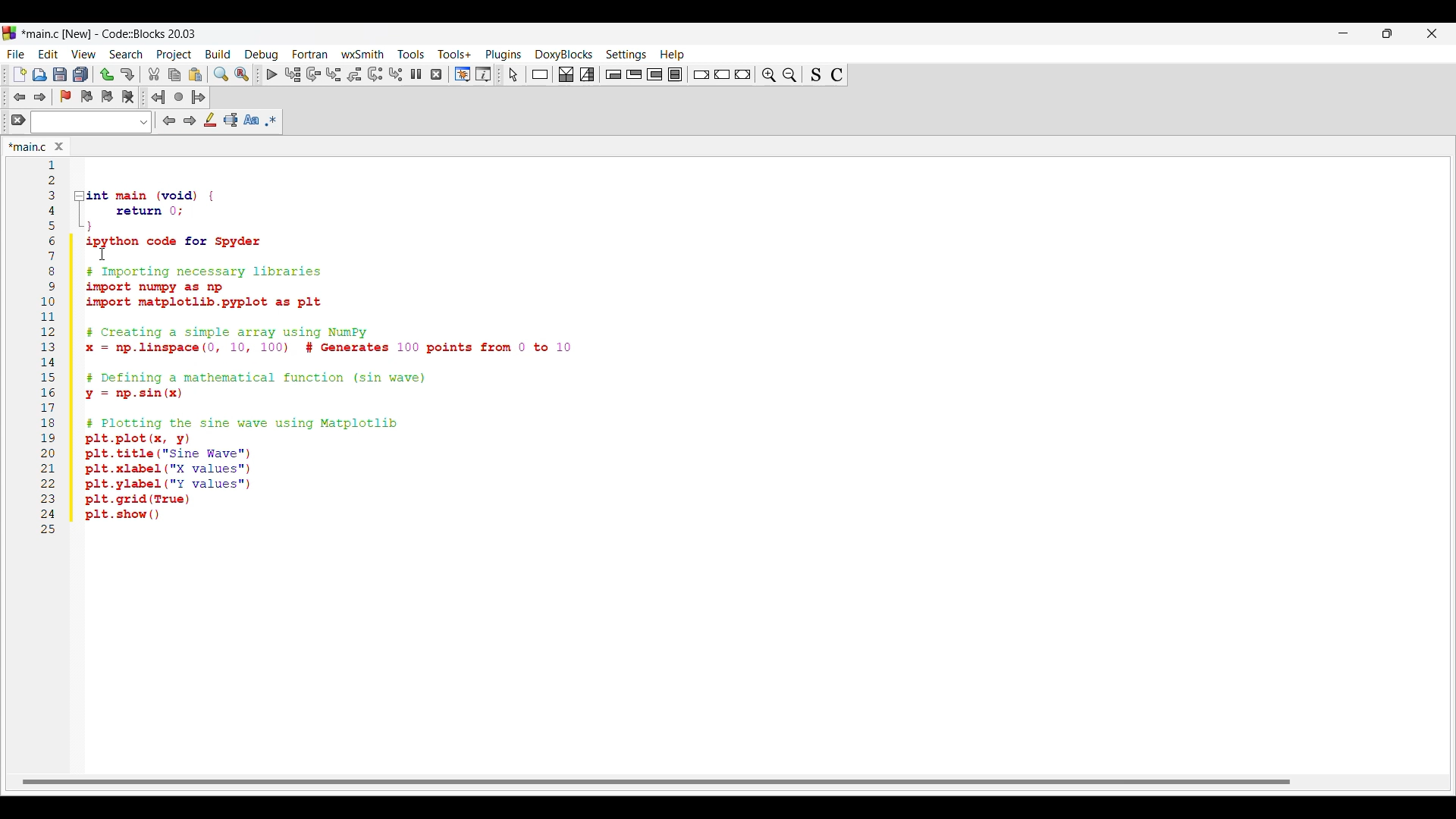 Image resolution: width=1456 pixels, height=819 pixels. What do you see at coordinates (20, 98) in the screenshot?
I see `Toggle back` at bounding box center [20, 98].